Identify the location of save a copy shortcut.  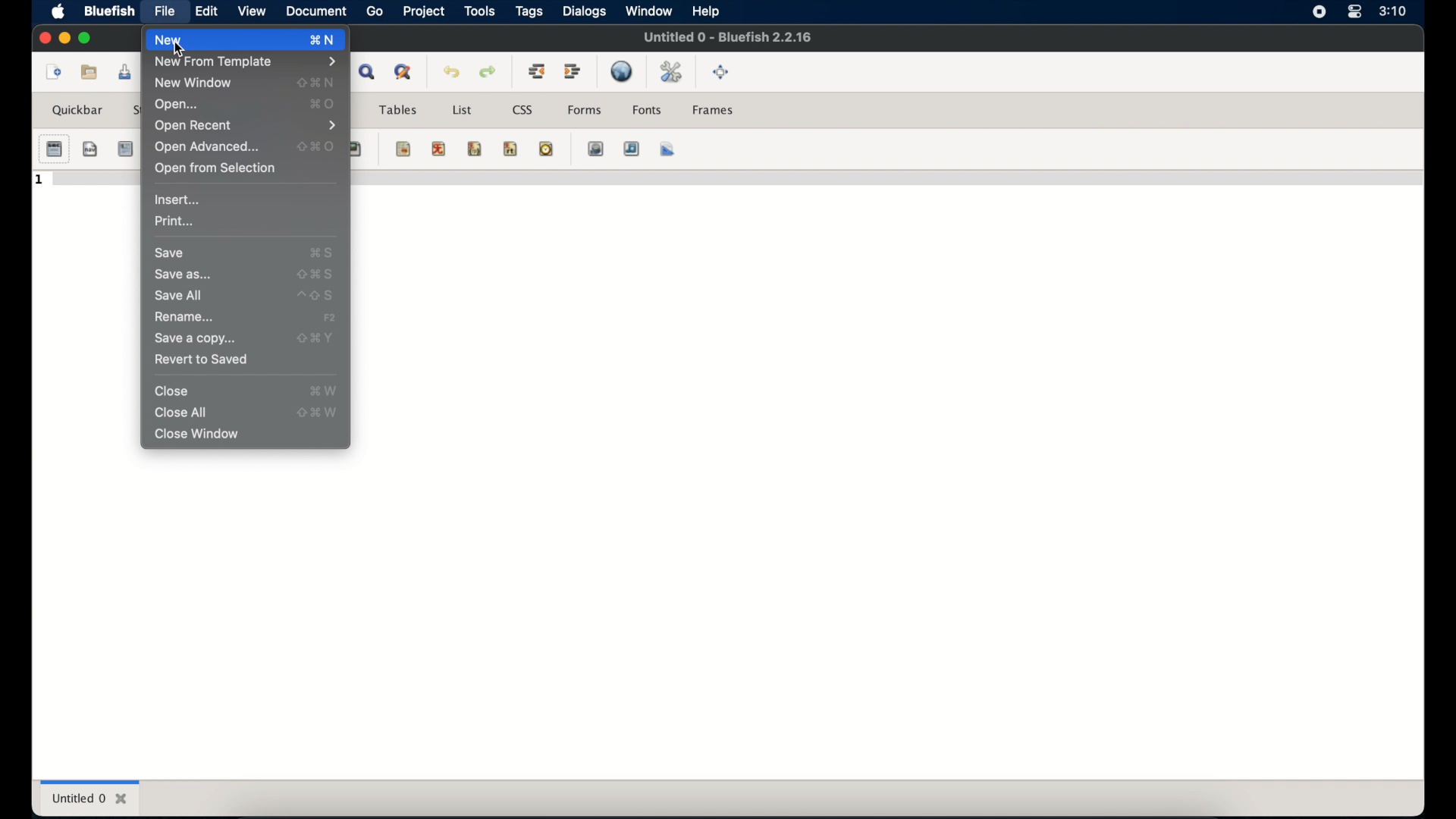
(315, 338).